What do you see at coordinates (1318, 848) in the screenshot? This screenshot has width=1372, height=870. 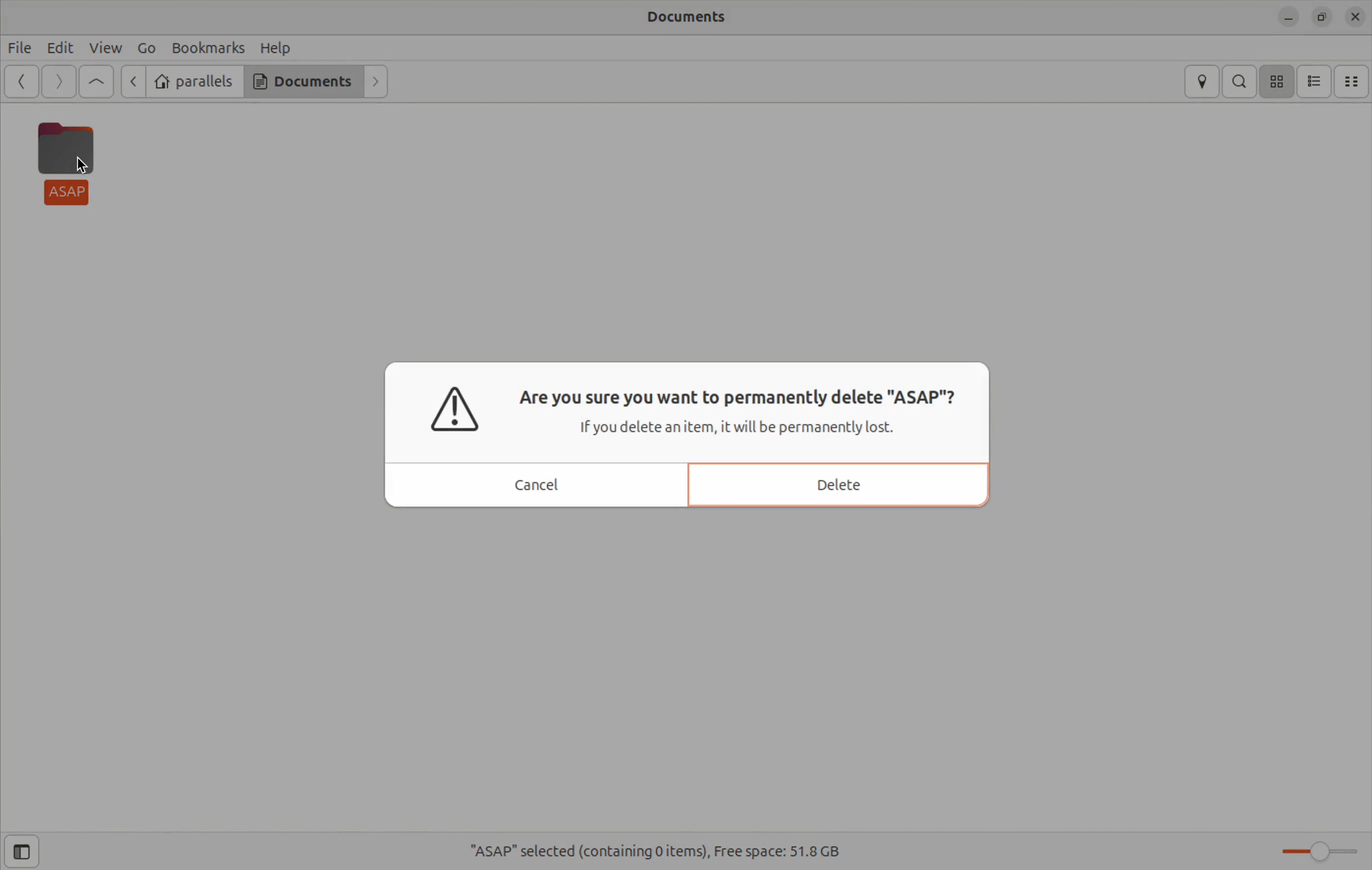 I see `Zoom` at bounding box center [1318, 848].